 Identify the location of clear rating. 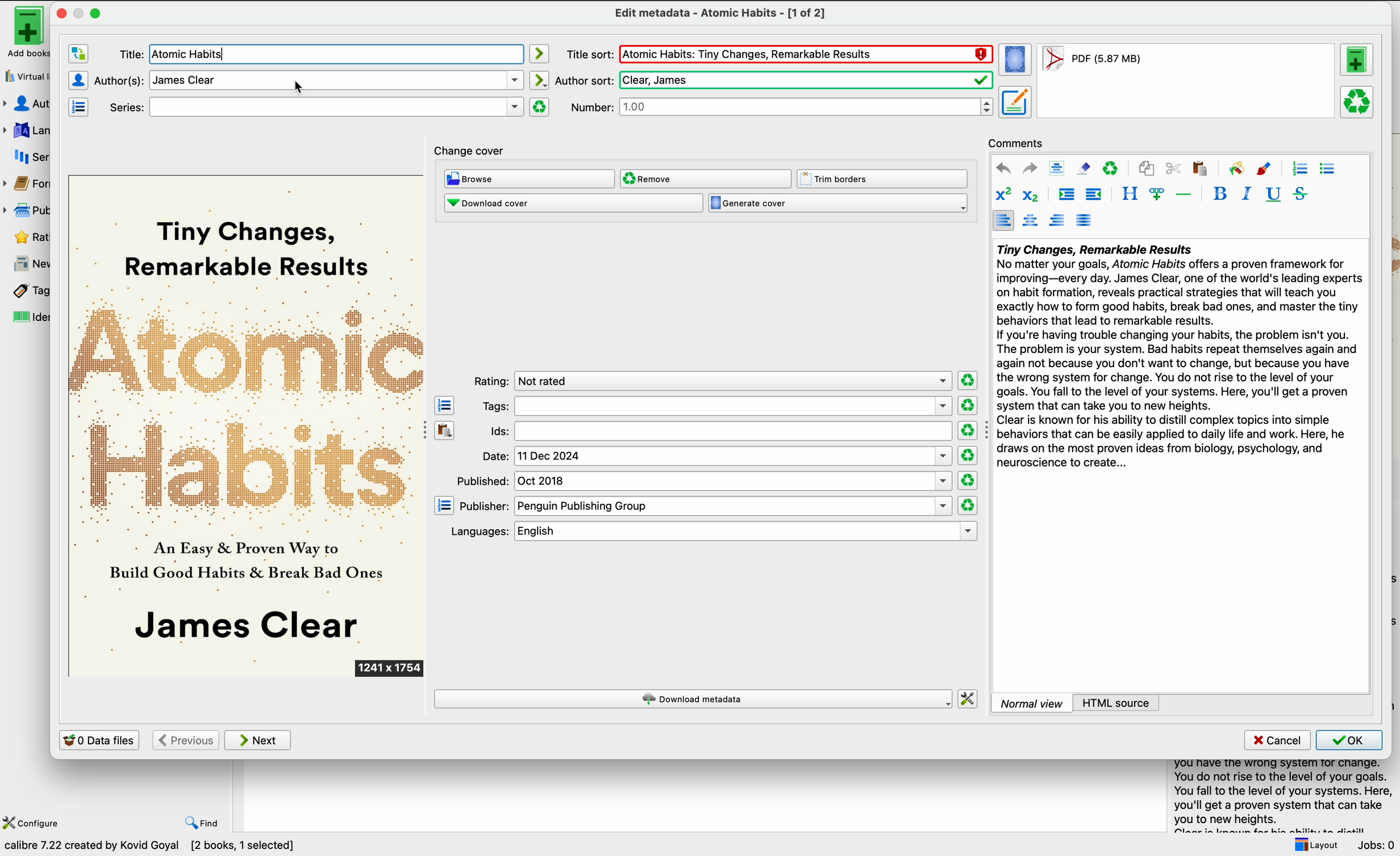
(966, 405).